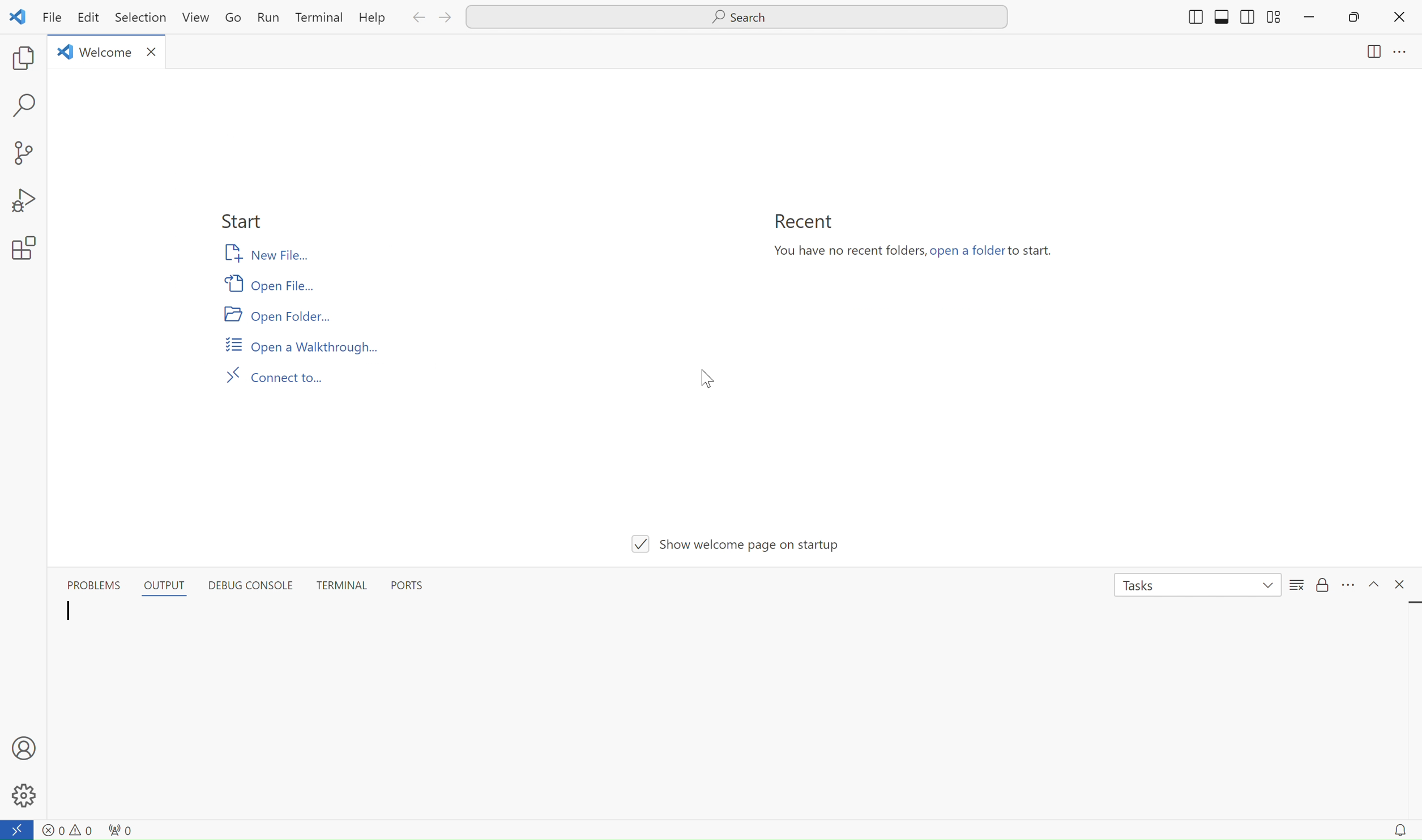 The height and width of the screenshot is (840, 1422). Describe the element at coordinates (1359, 20) in the screenshot. I see `restore down` at that location.